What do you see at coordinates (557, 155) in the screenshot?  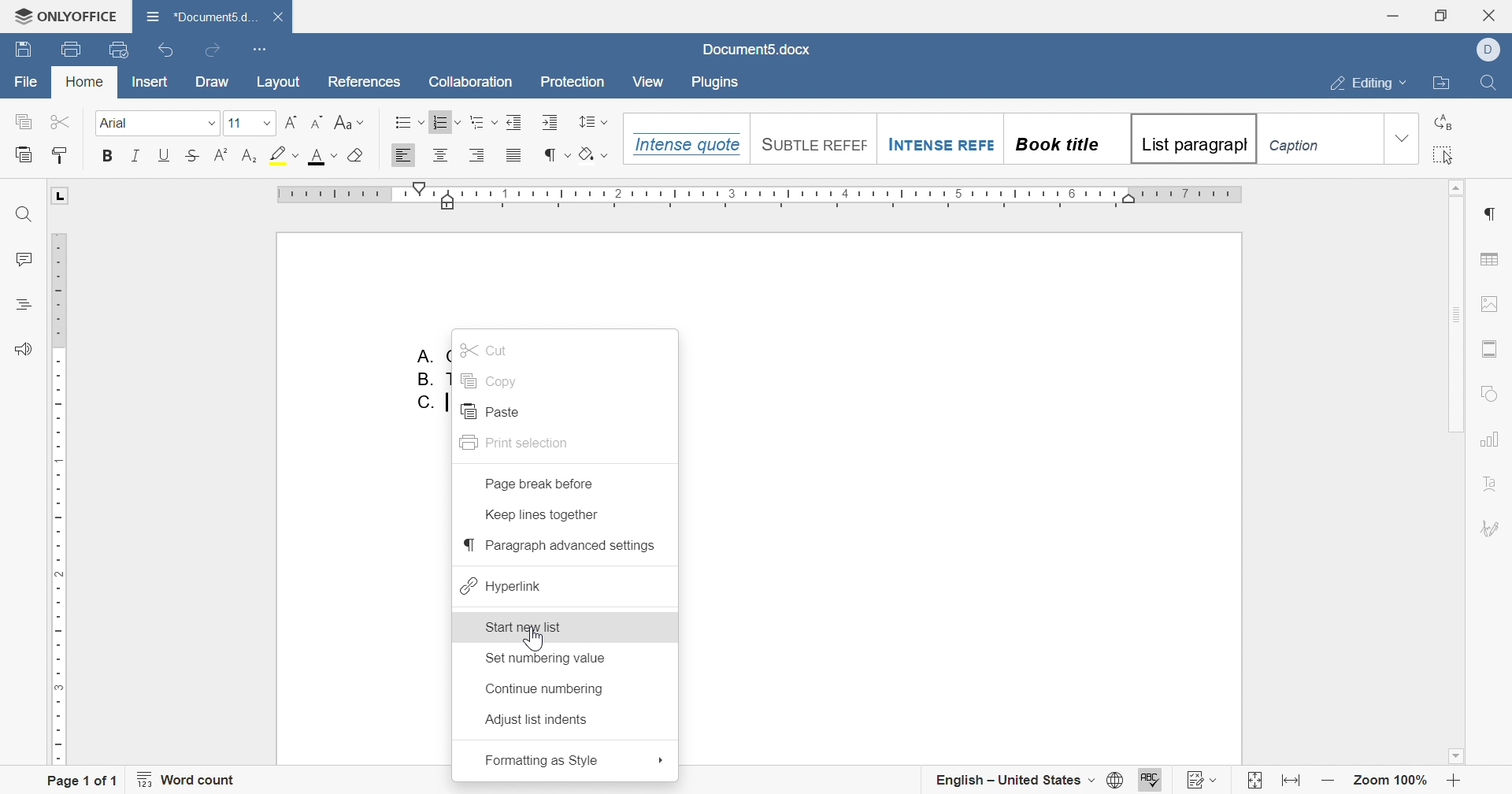 I see `nonprinting characters` at bounding box center [557, 155].